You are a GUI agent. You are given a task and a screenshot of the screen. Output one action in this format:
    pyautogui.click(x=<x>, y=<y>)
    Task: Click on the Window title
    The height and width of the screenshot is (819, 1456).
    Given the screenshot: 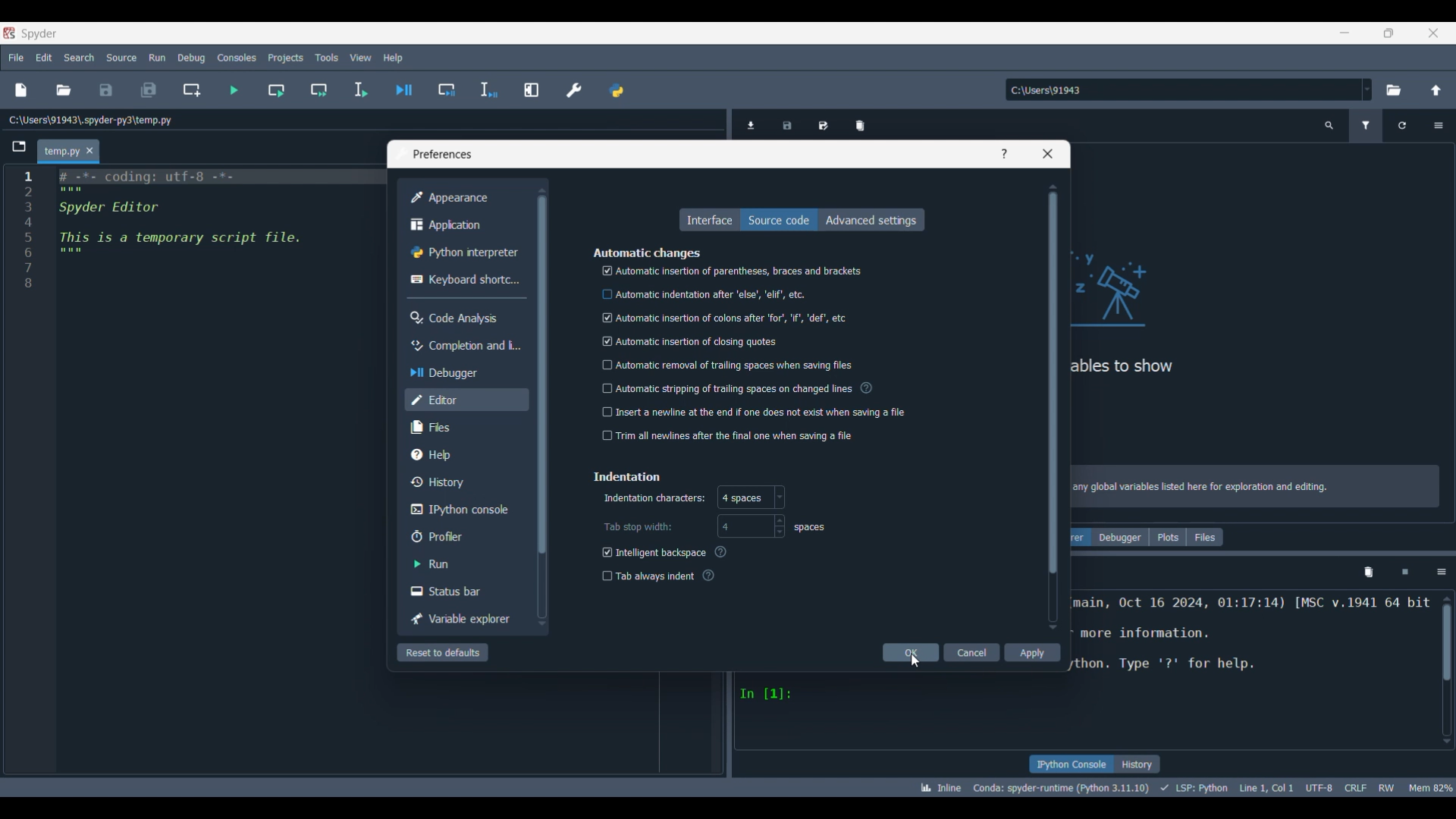 What is the action you would take?
    pyautogui.click(x=441, y=154)
    